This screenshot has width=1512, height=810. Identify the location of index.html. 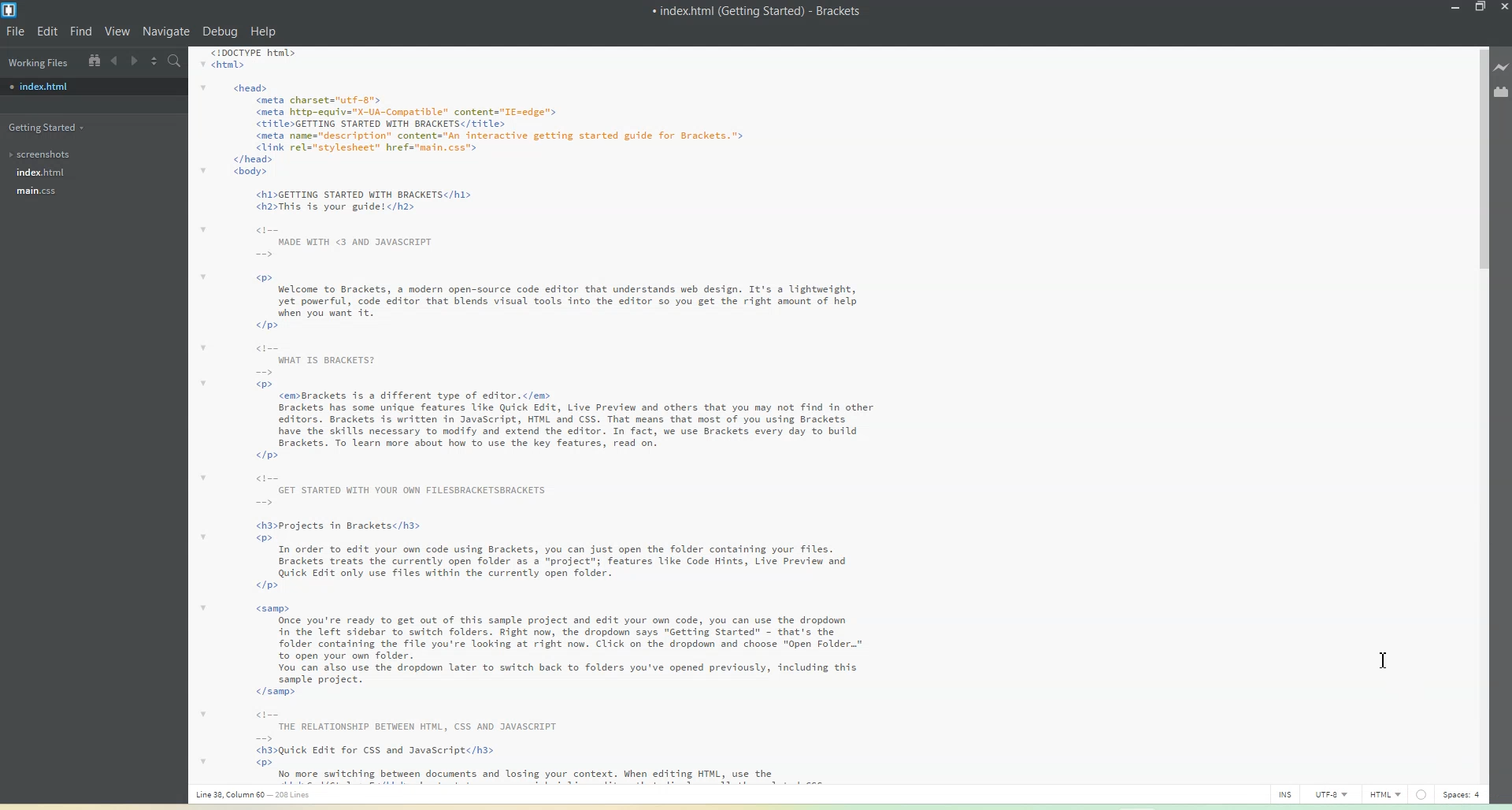
(41, 171).